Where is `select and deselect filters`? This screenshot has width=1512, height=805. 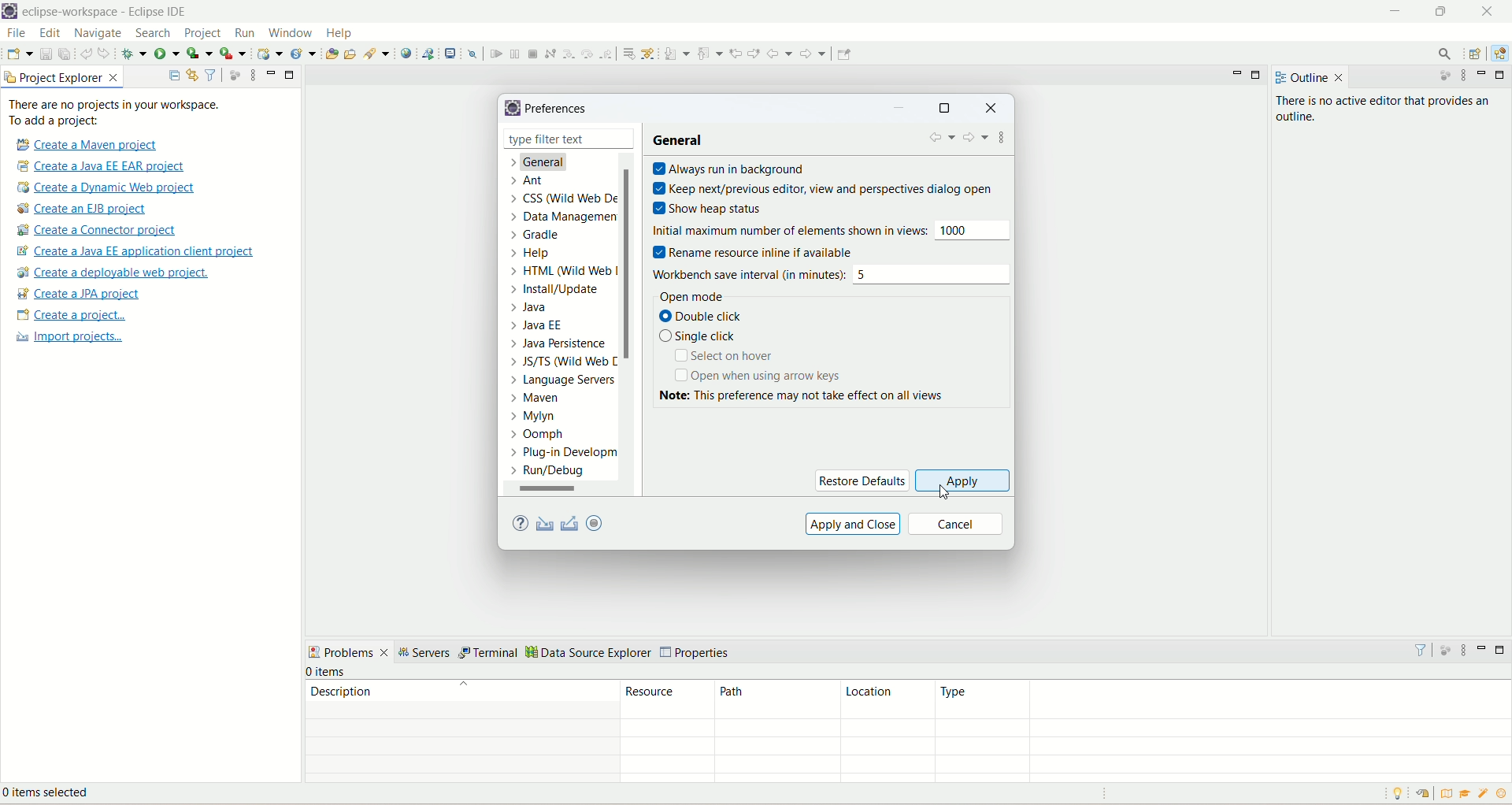 select and deselect filters is located at coordinates (212, 74).